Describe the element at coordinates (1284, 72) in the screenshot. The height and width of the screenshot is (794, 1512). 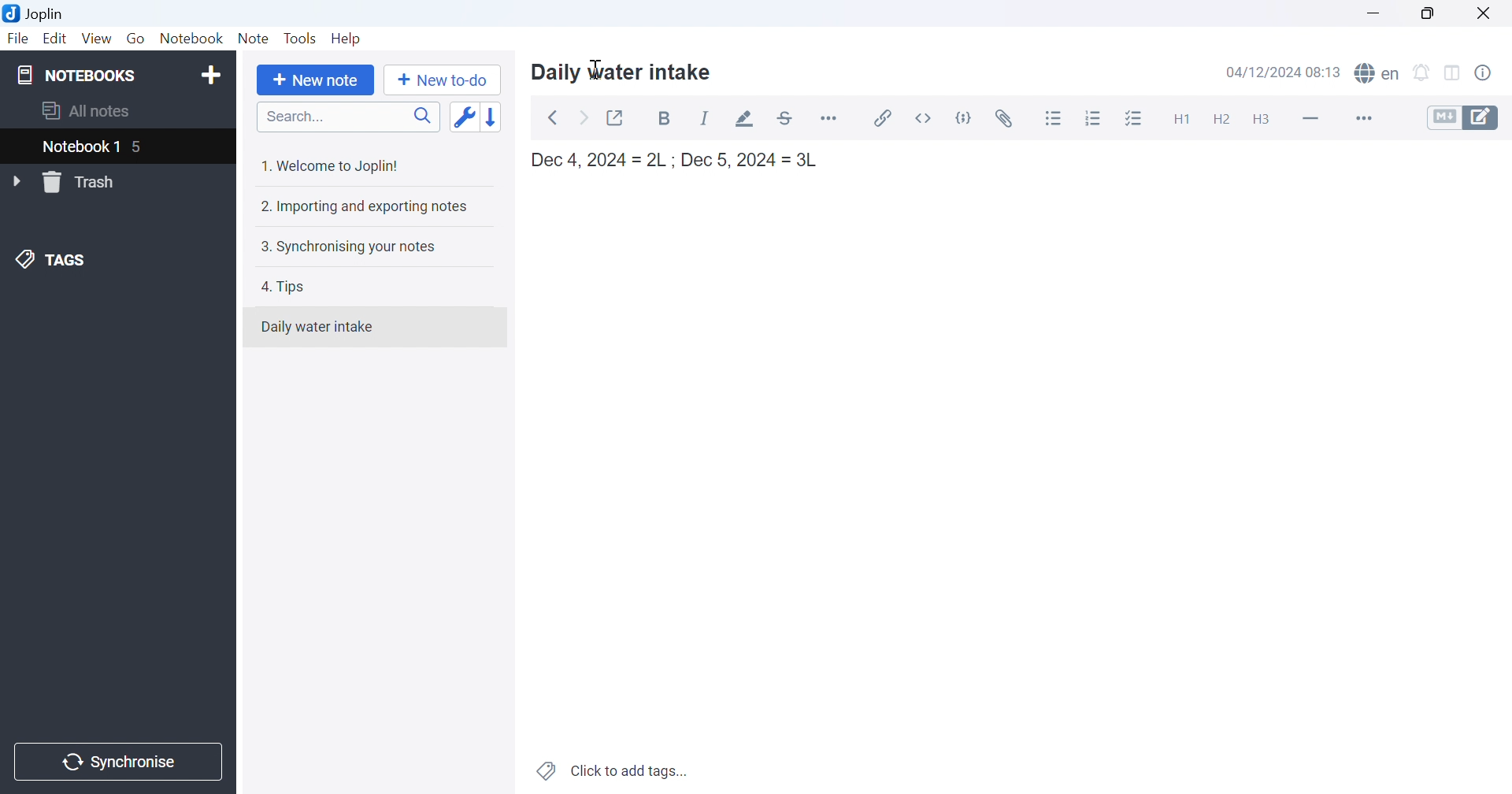
I see `04/12/2024 08:13` at that location.